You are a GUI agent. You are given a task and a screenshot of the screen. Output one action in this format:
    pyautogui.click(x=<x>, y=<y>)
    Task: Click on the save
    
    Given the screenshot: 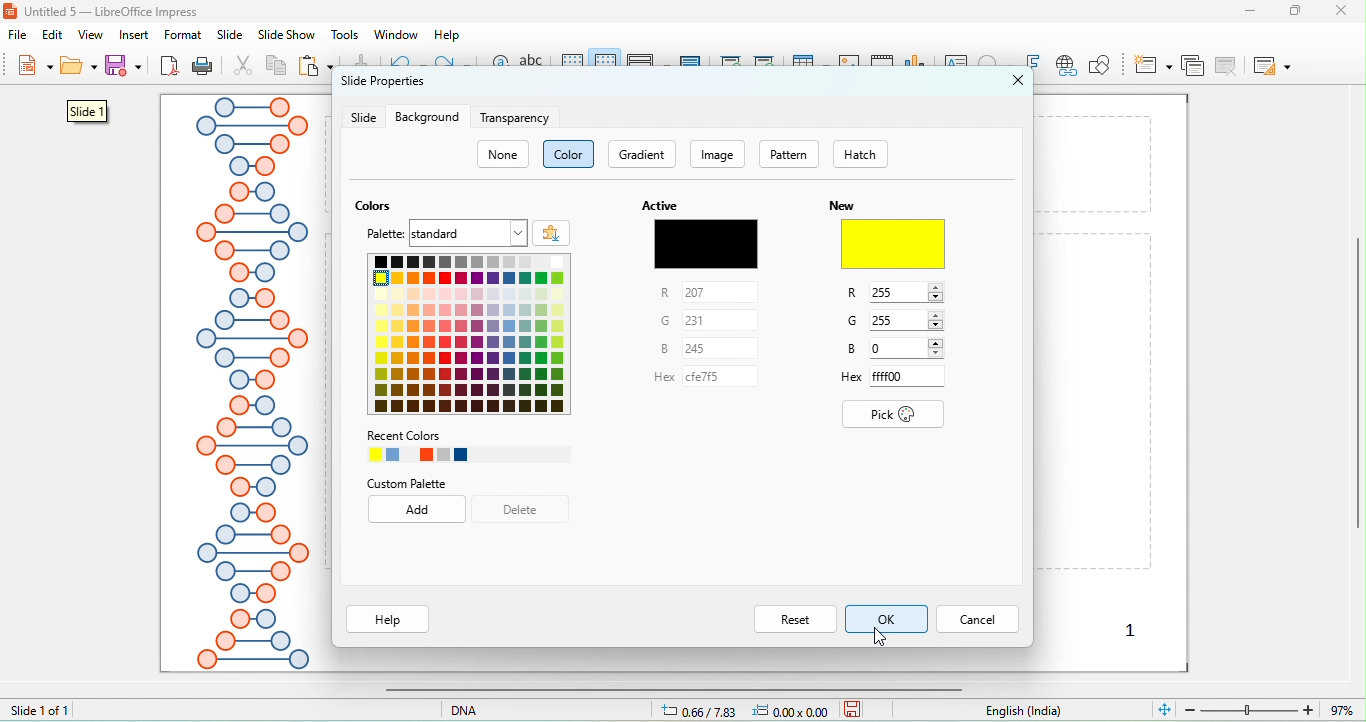 What is the action you would take?
    pyautogui.click(x=126, y=65)
    